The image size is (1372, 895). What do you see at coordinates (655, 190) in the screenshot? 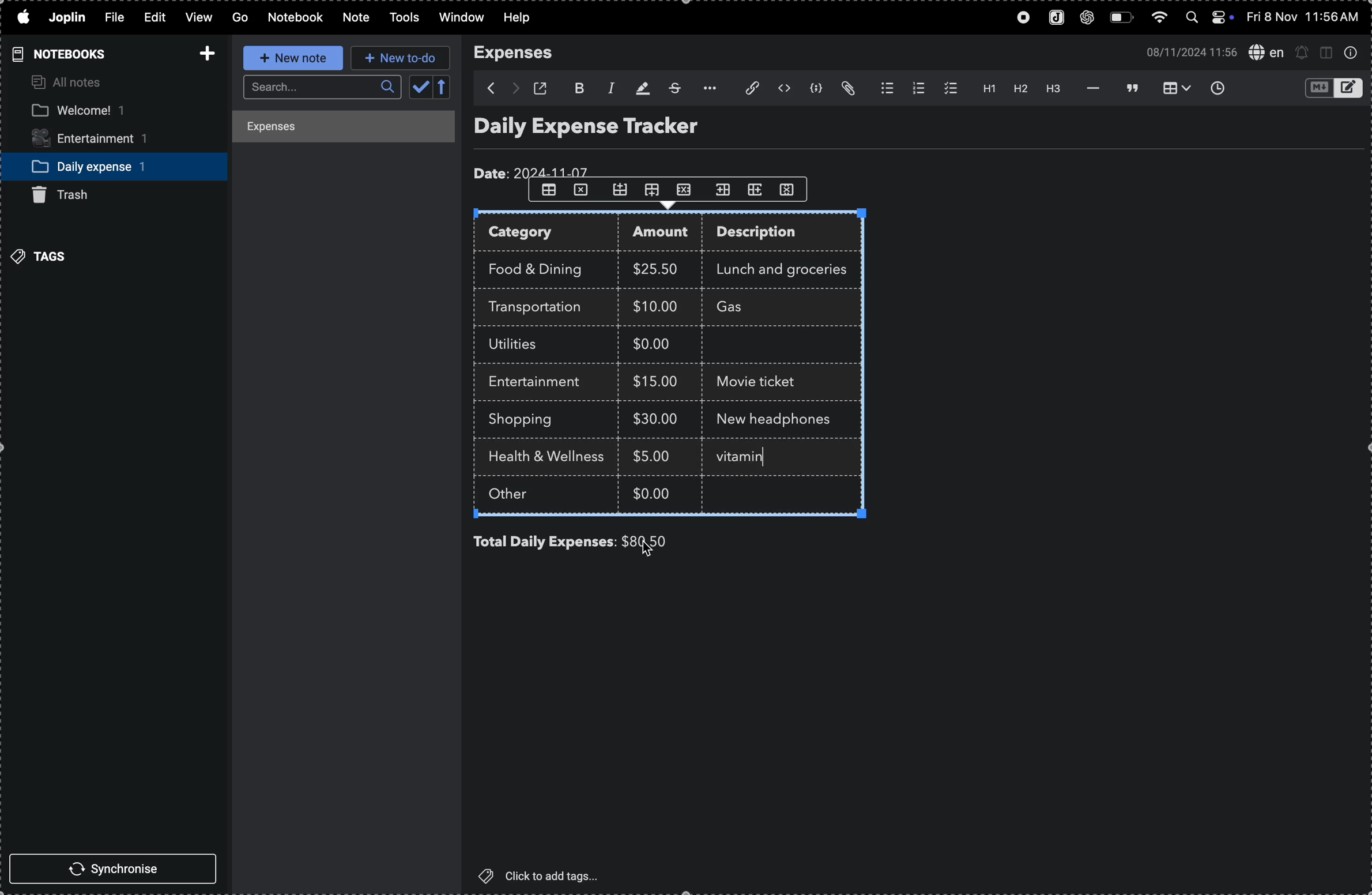
I see `add row down` at bounding box center [655, 190].